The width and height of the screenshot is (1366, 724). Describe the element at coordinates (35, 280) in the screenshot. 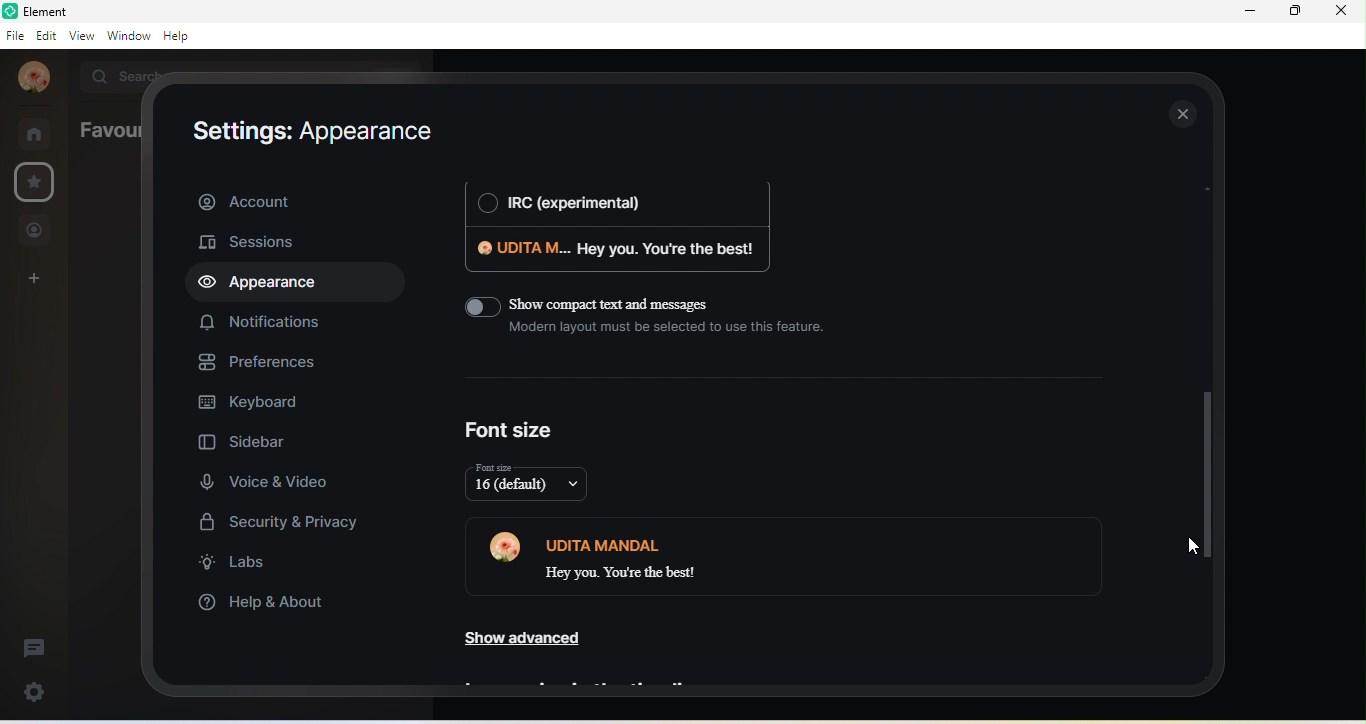

I see `create a space` at that location.